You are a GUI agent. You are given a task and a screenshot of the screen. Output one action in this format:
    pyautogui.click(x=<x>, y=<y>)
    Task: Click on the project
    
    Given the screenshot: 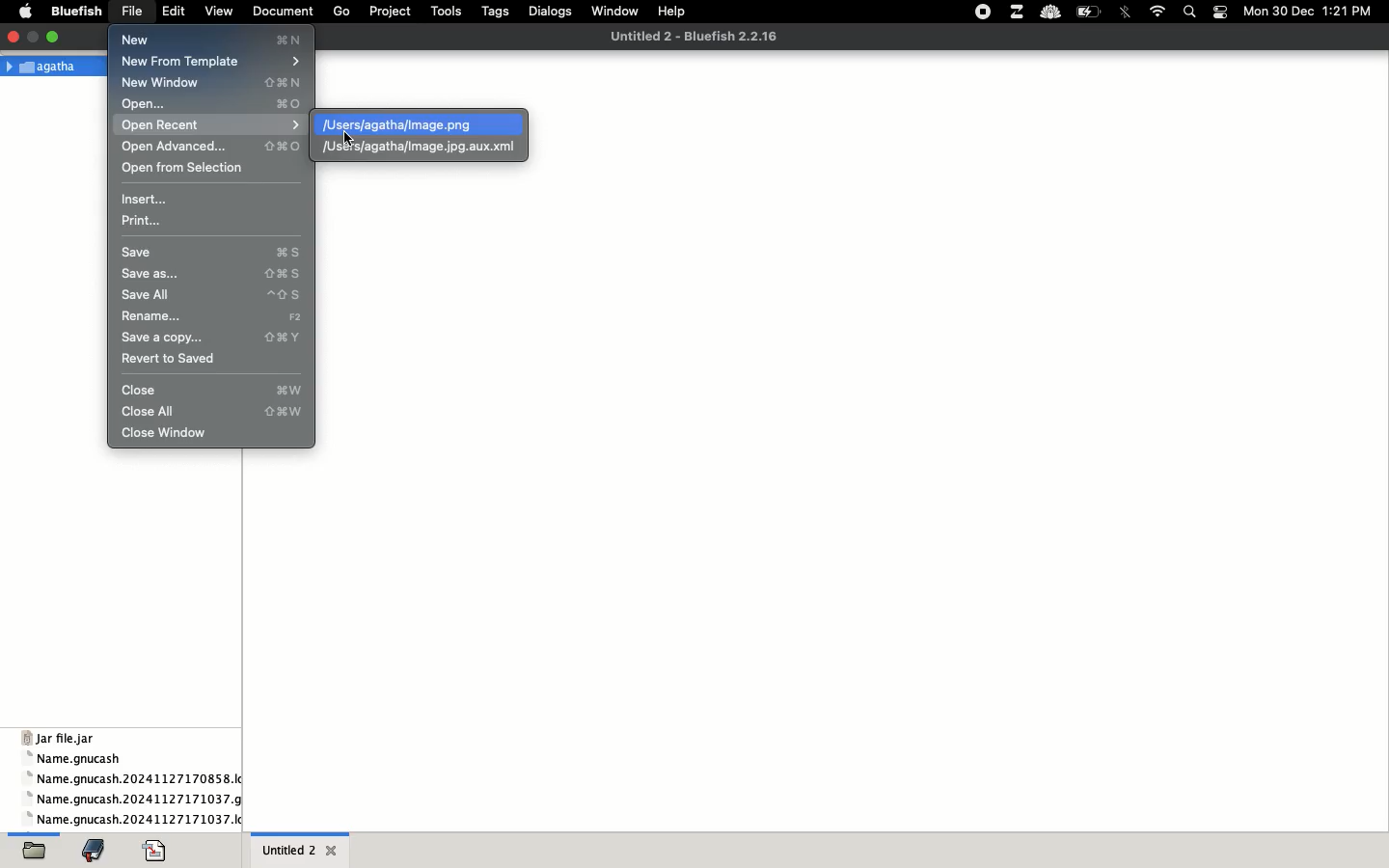 What is the action you would take?
    pyautogui.click(x=393, y=11)
    